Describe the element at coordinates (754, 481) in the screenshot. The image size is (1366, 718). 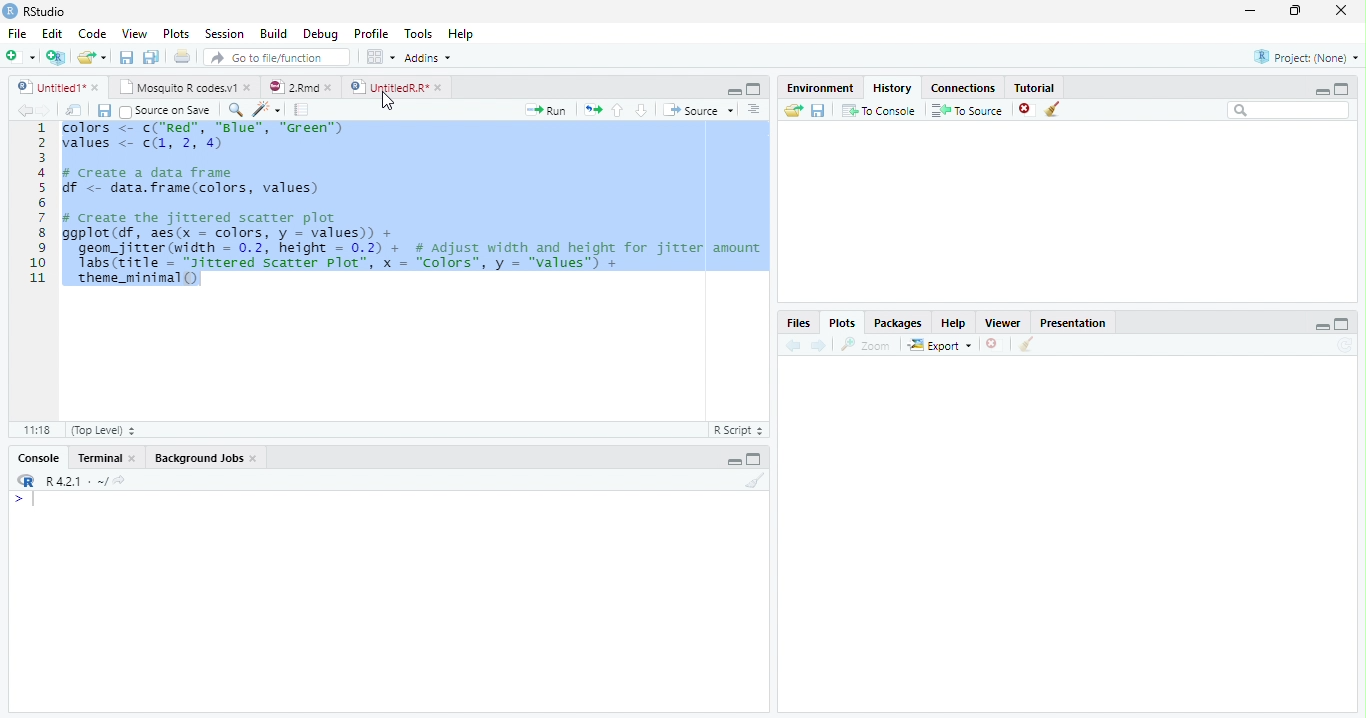
I see `Clear console` at that location.